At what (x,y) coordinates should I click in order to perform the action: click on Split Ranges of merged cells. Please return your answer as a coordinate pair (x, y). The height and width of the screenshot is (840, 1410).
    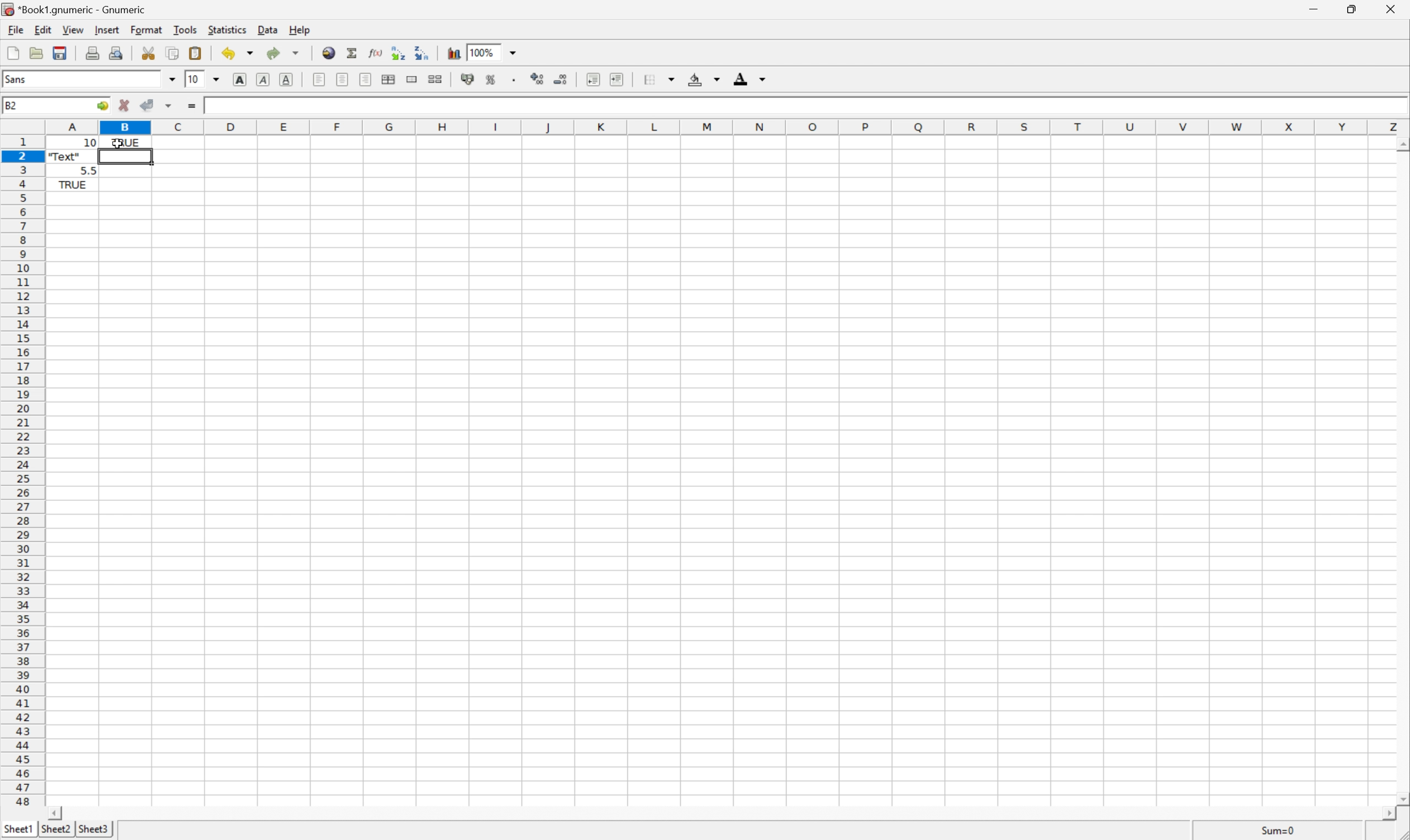
    Looking at the image, I should click on (434, 79).